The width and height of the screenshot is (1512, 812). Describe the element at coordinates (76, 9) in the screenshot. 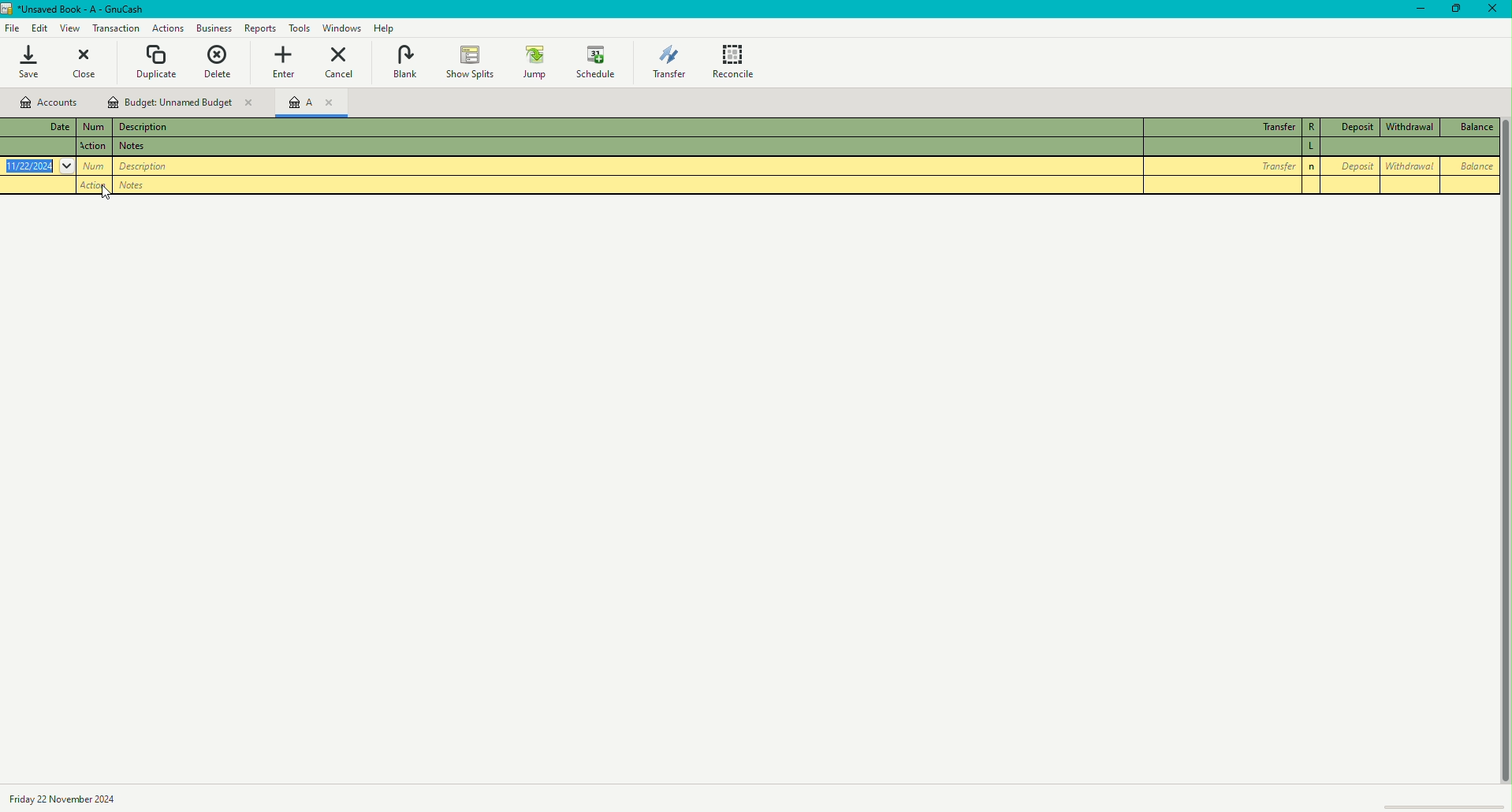

I see `Unsaved Budget - GnuCash` at that location.